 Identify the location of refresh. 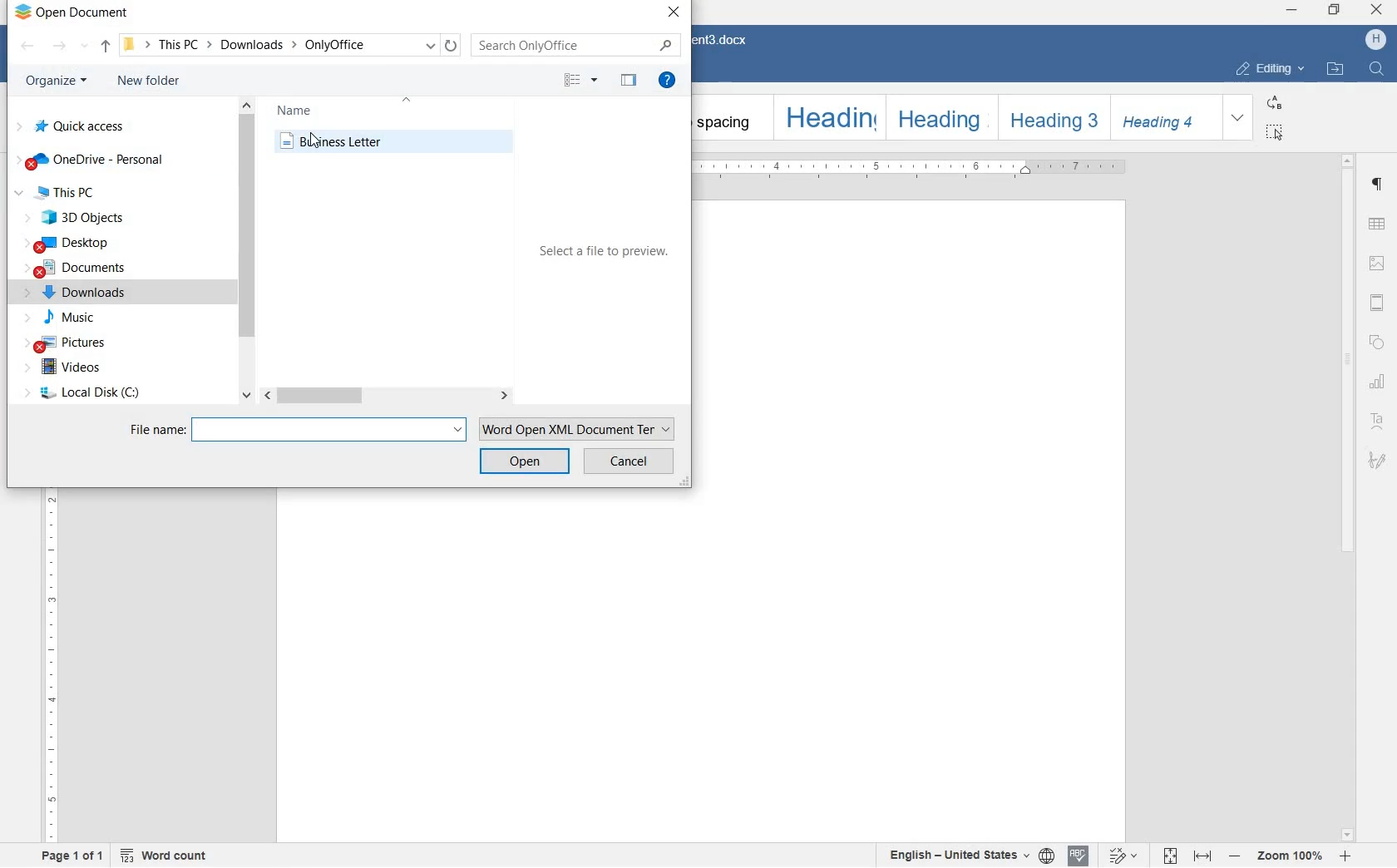
(451, 45).